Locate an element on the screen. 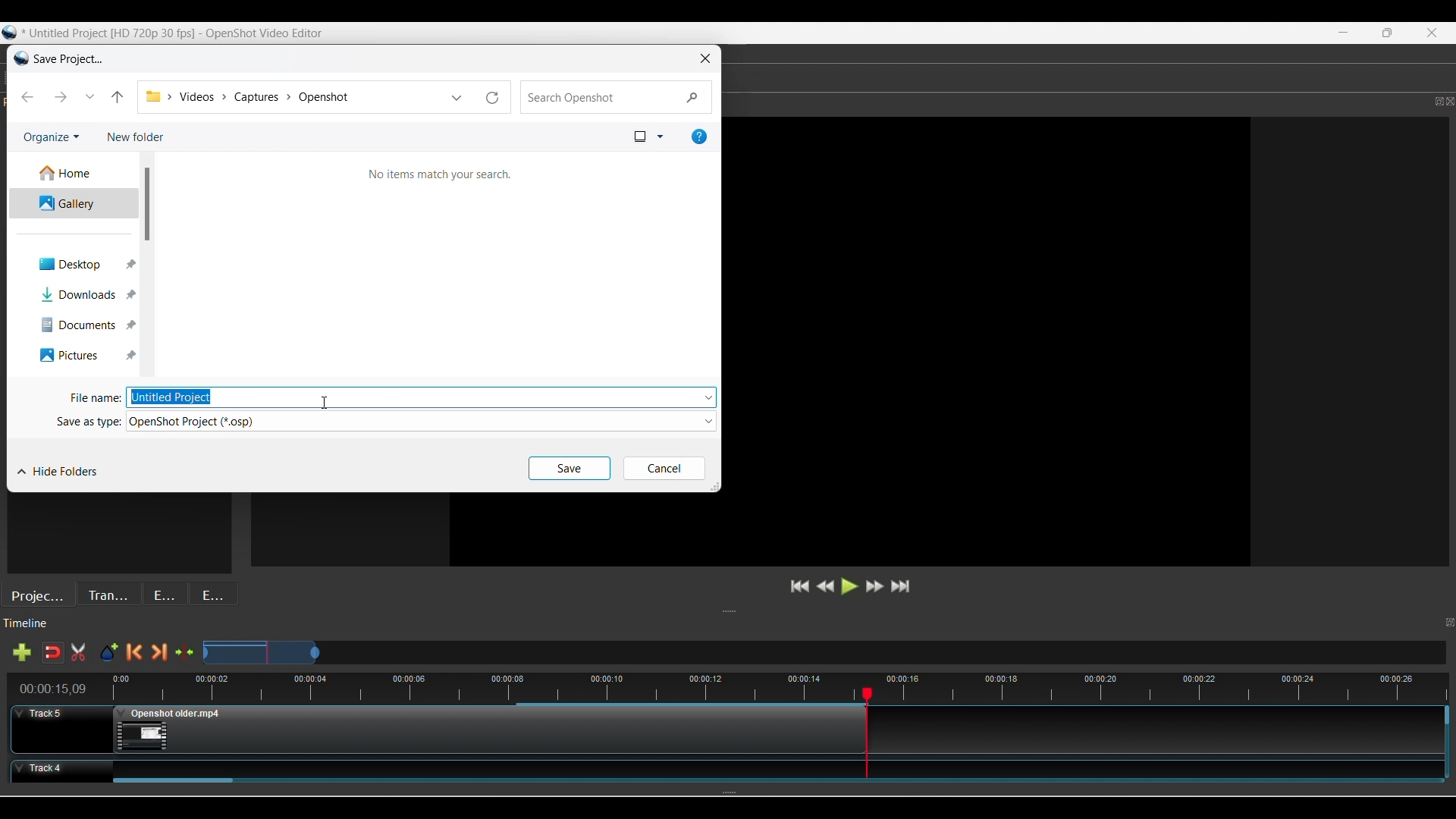  Search Window is located at coordinates (433, 267).